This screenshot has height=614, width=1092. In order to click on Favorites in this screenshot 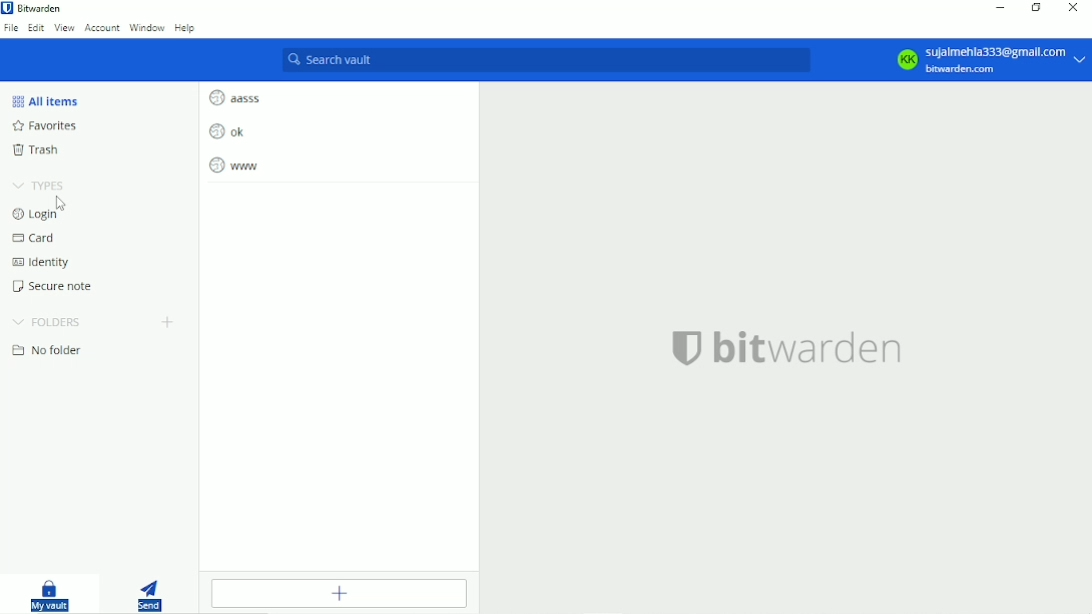, I will do `click(47, 126)`.